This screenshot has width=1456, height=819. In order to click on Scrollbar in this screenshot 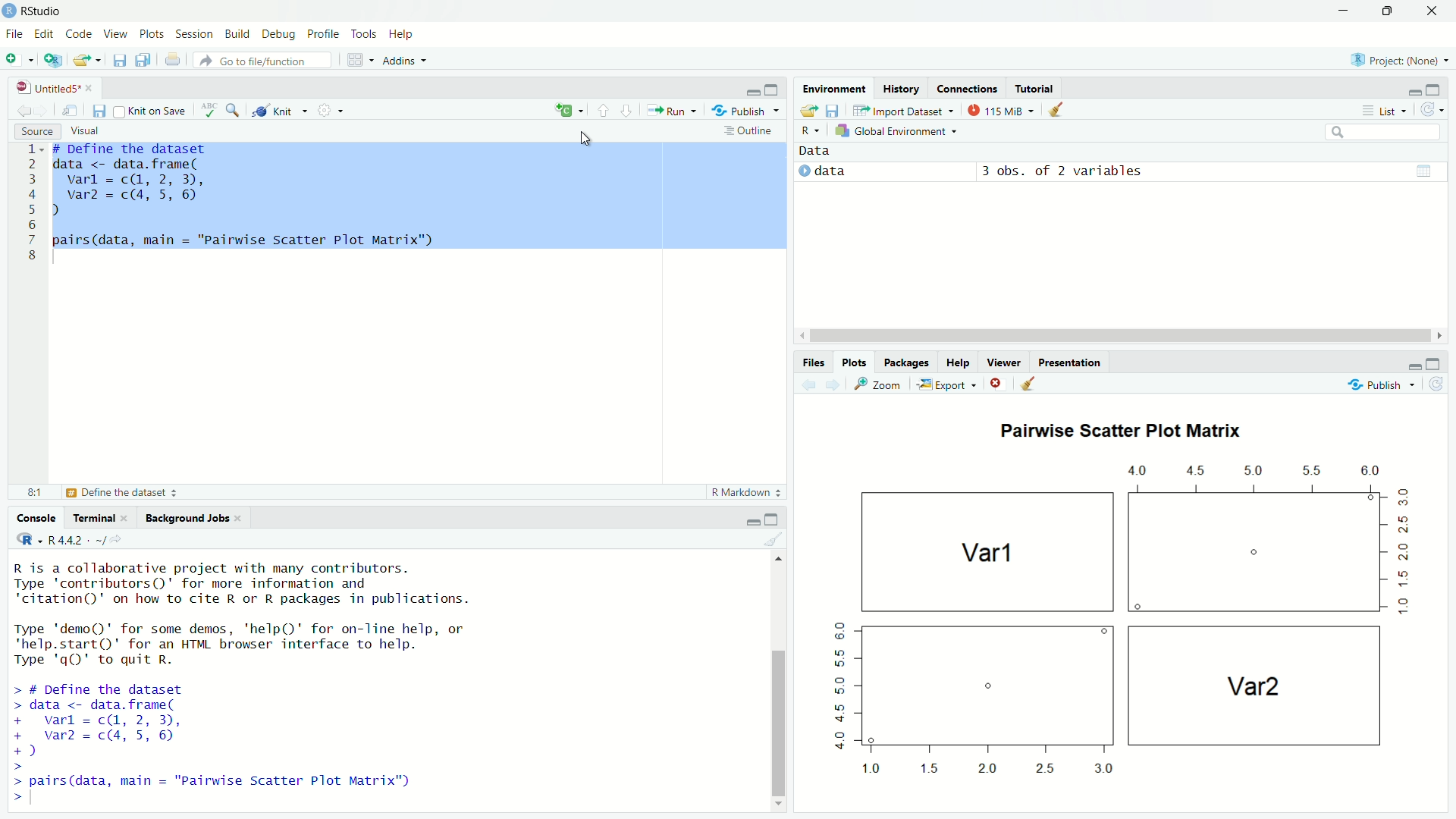, I will do `click(777, 718)`.